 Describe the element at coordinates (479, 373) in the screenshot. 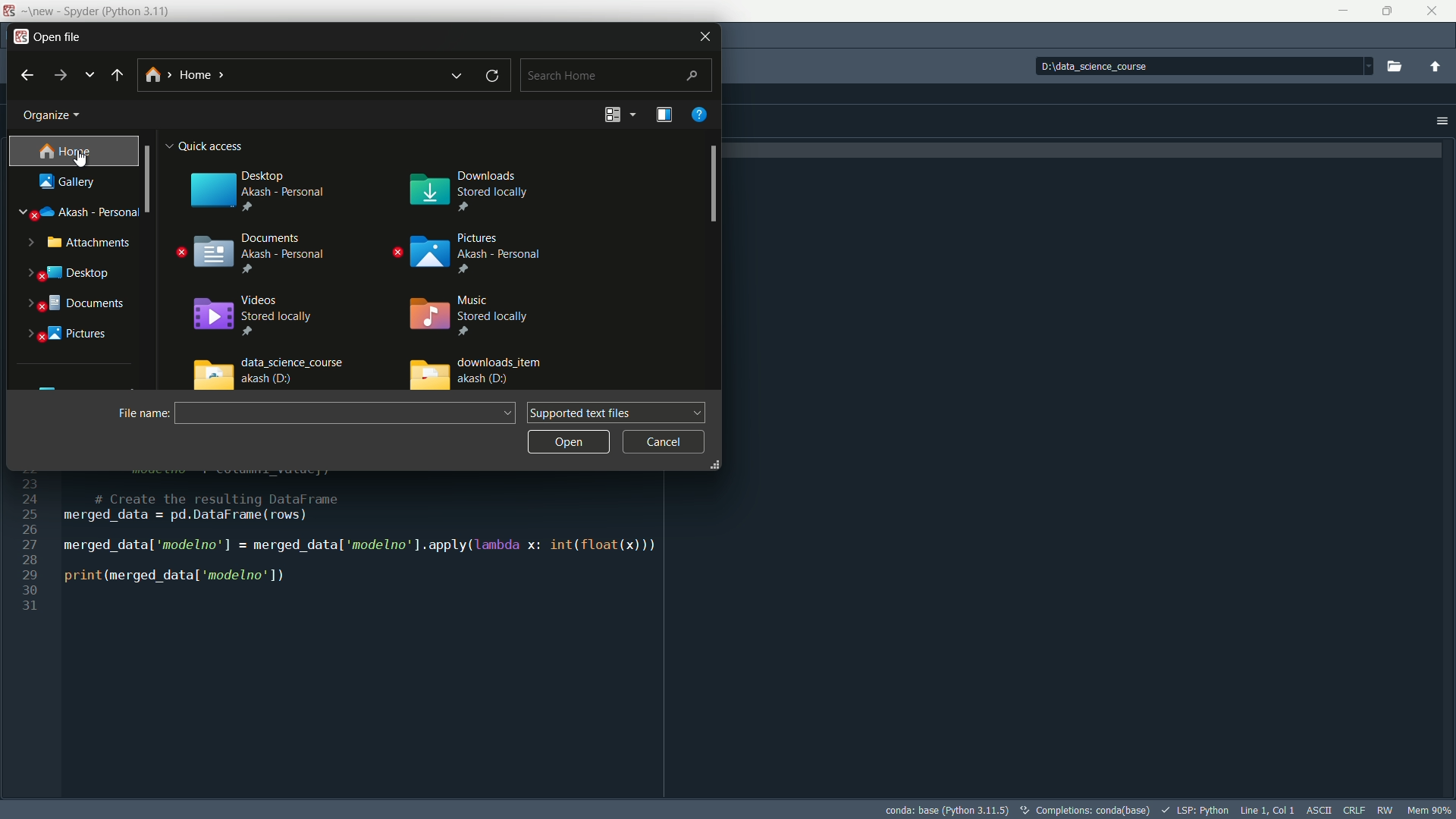

I see `download_items folder` at that location.